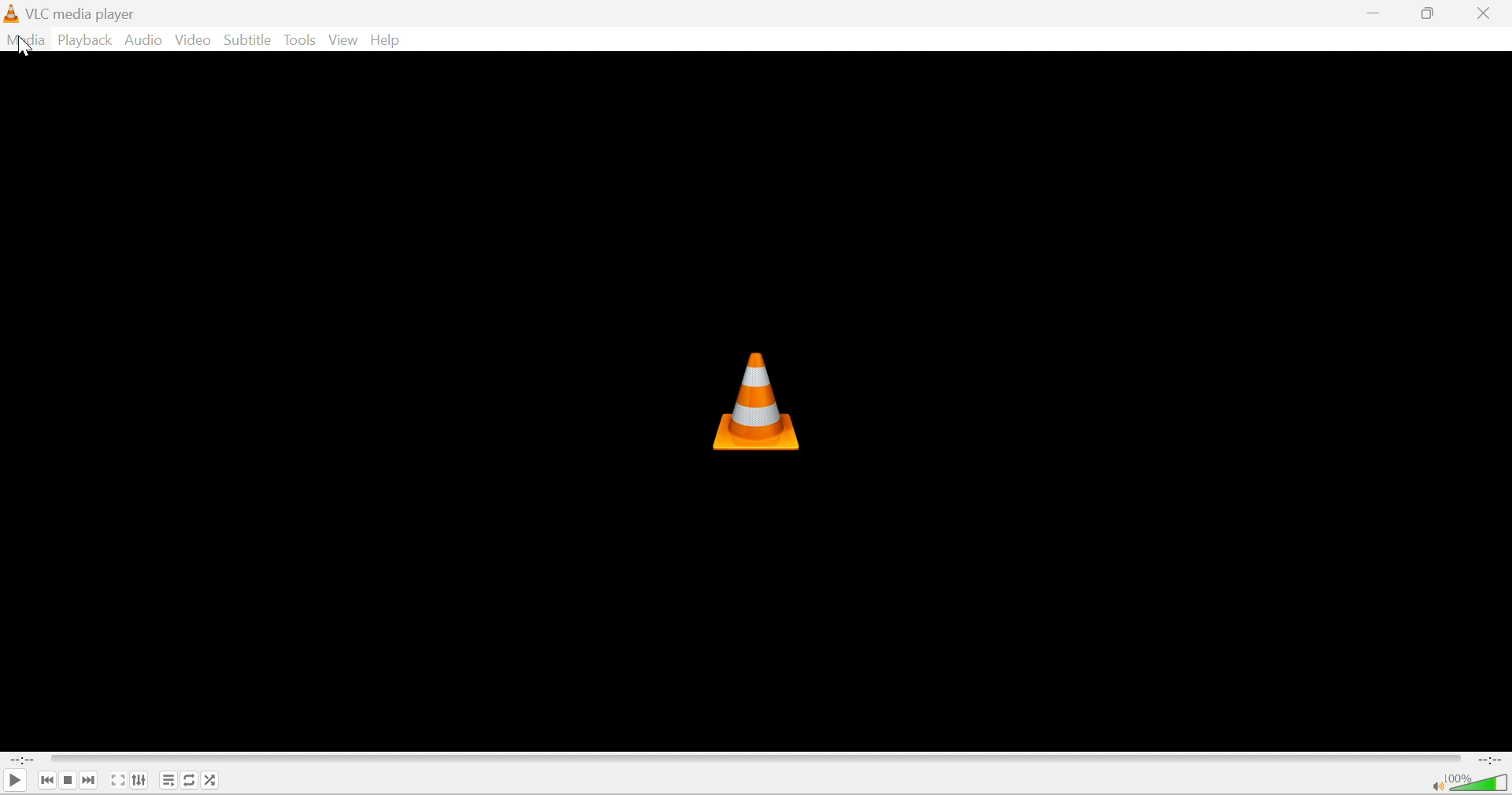 The width and height of the screenshot is (1512, 795). What do you see at coordinates (13, 14) in the screenshot?
I see `logo` at bounding box center [13, 14].